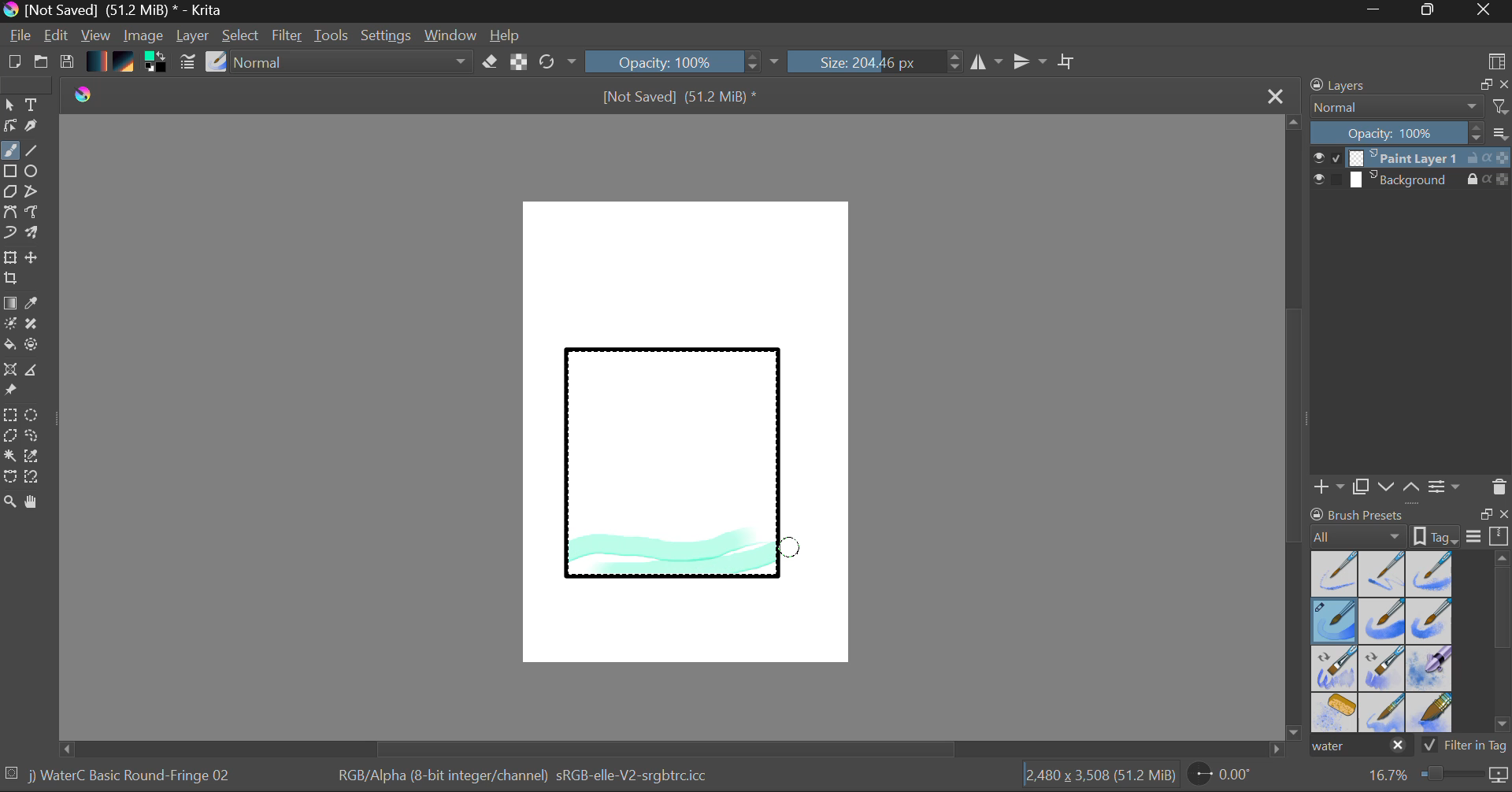 The image size is (1512, 792). I want to click on Water C - Spread, so click(1384, 712).